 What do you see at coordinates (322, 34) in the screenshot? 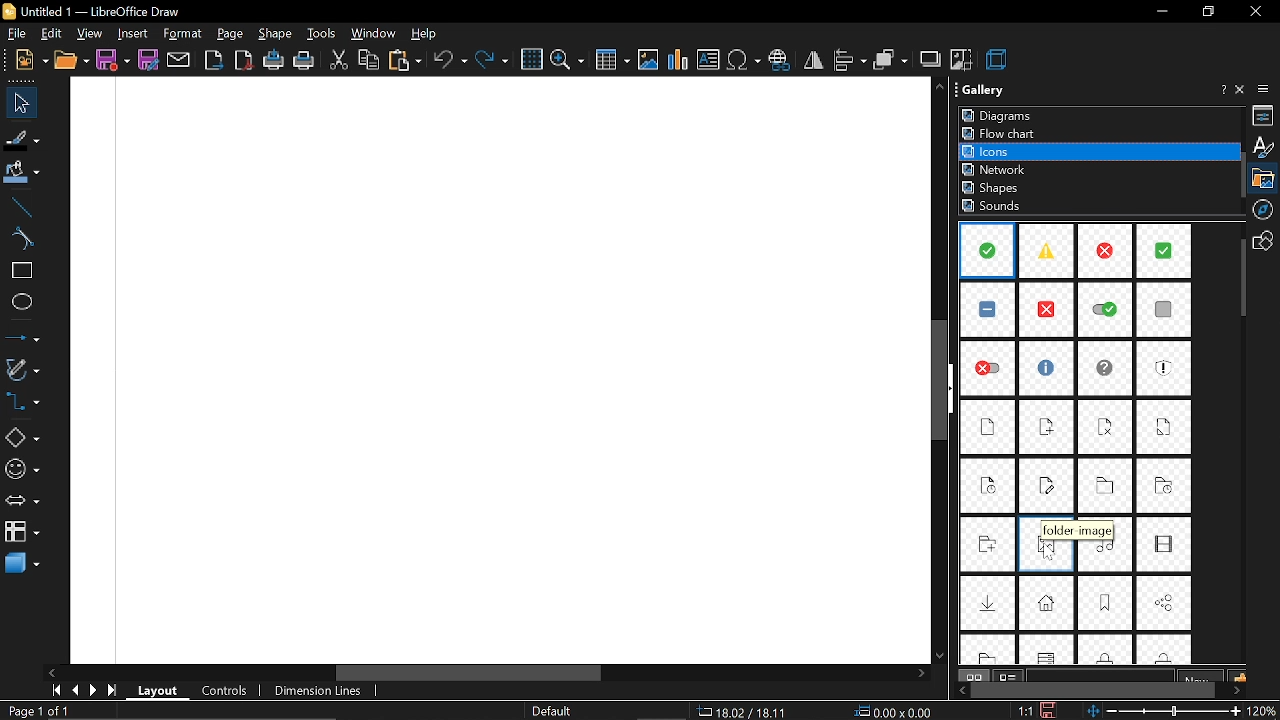
I see `tools` at bounding box center [322, 34].